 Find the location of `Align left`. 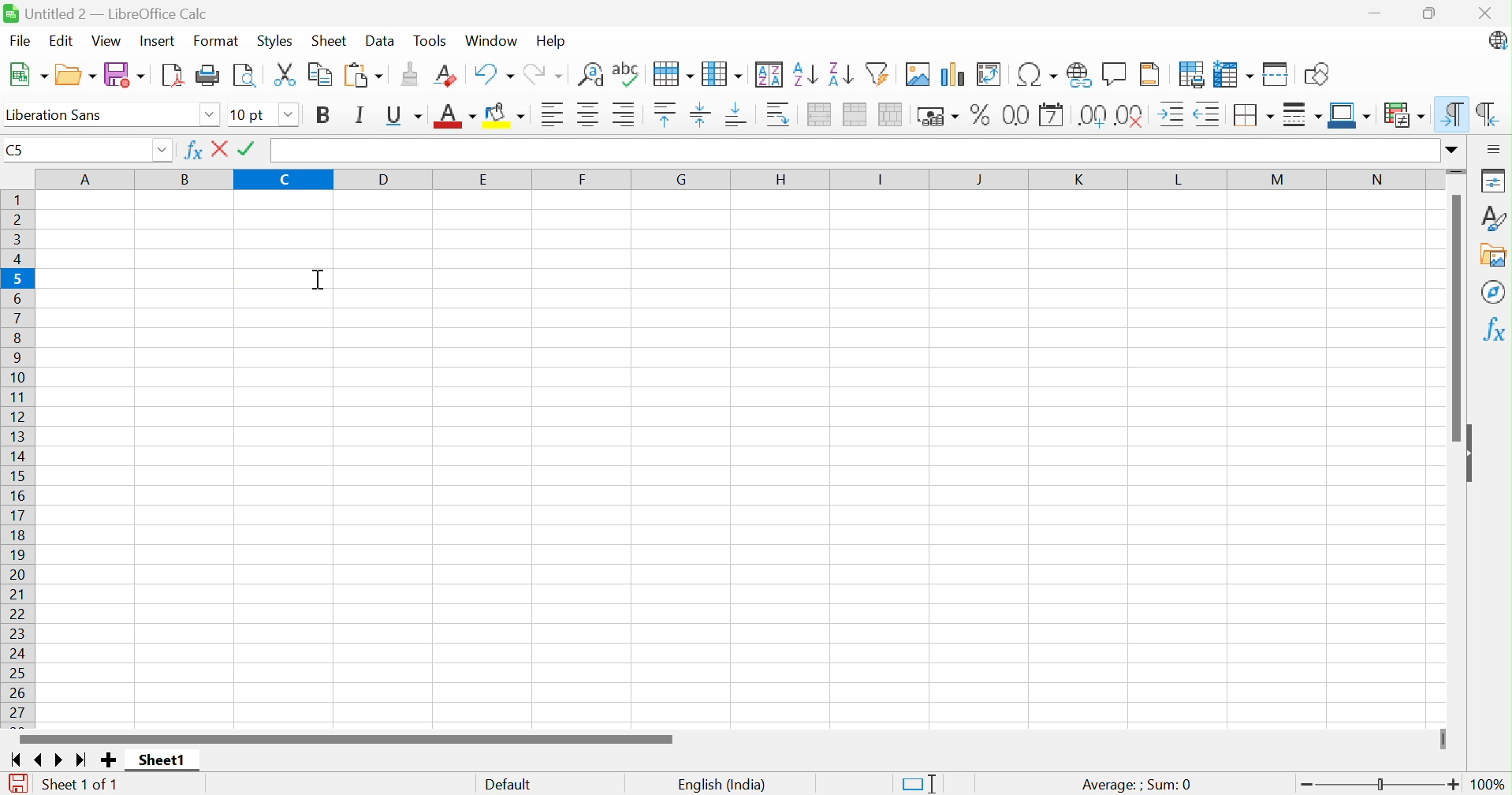

Align left is located at coordinates (555, 114).